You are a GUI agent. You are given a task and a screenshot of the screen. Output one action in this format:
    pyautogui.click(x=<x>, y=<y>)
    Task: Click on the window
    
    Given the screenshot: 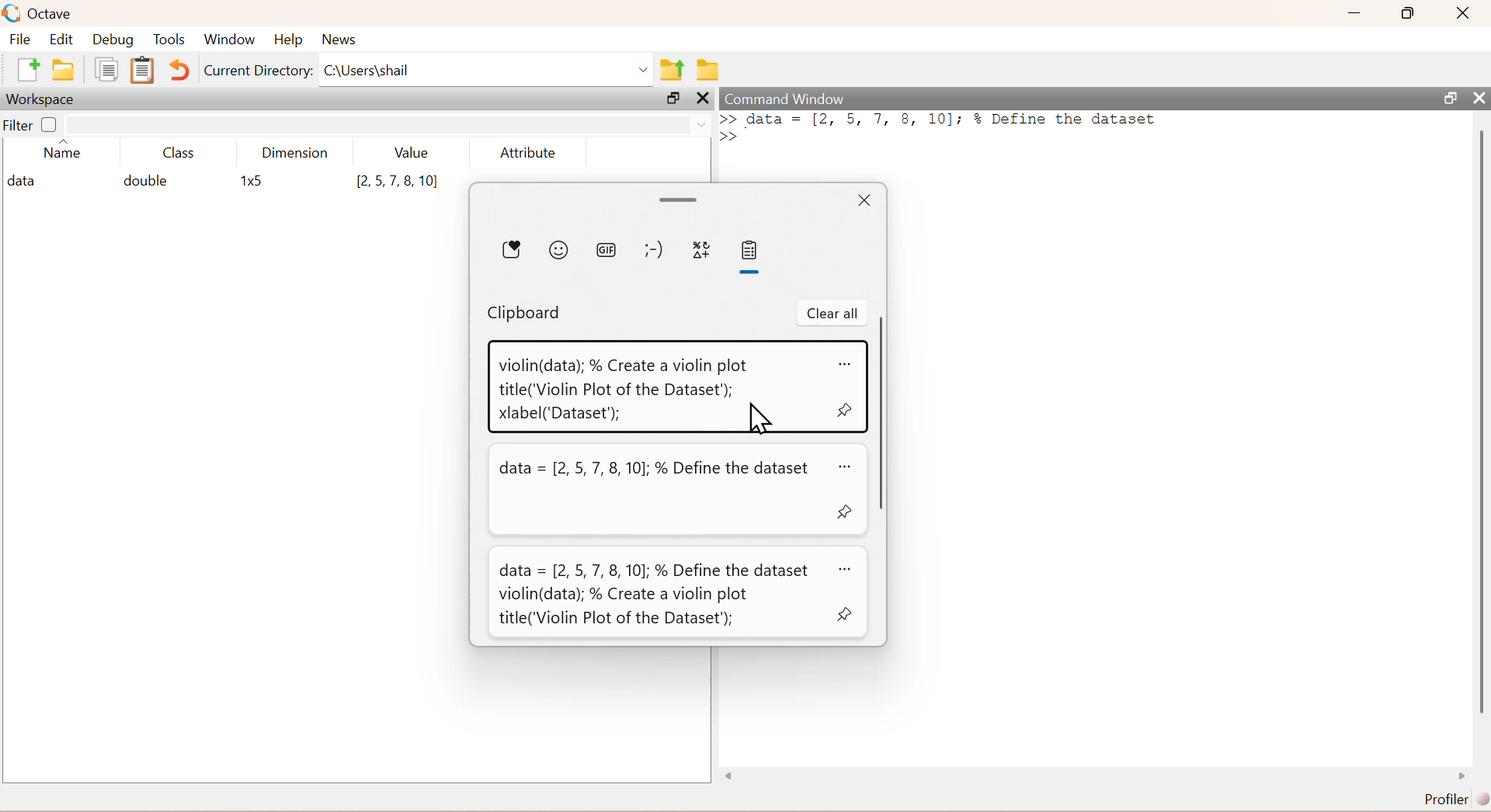 What is the action you would take?
    pyautogui.click(x=230, y=40)
    